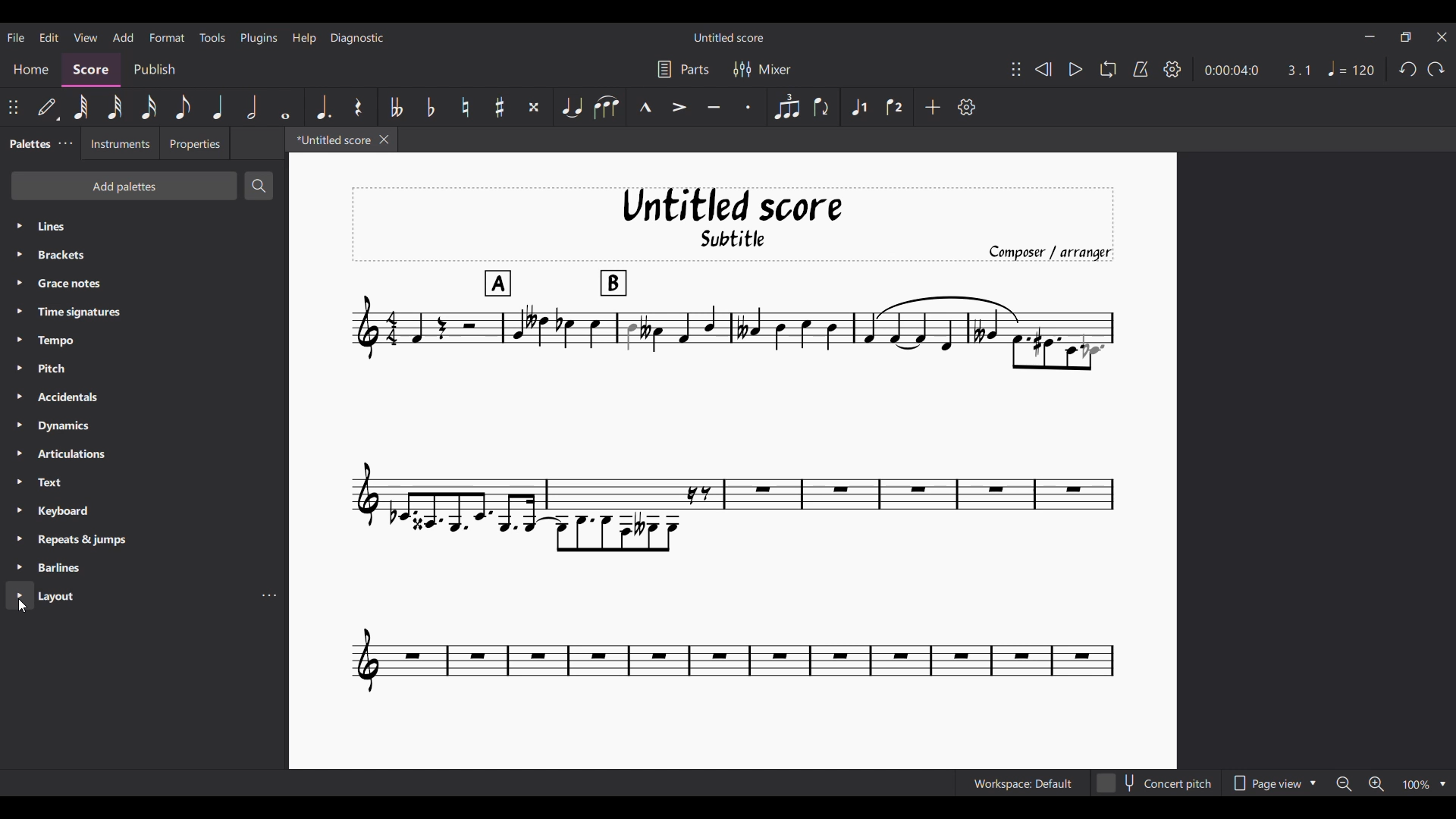  I want to click on Loop playback, so click(1108, 69).